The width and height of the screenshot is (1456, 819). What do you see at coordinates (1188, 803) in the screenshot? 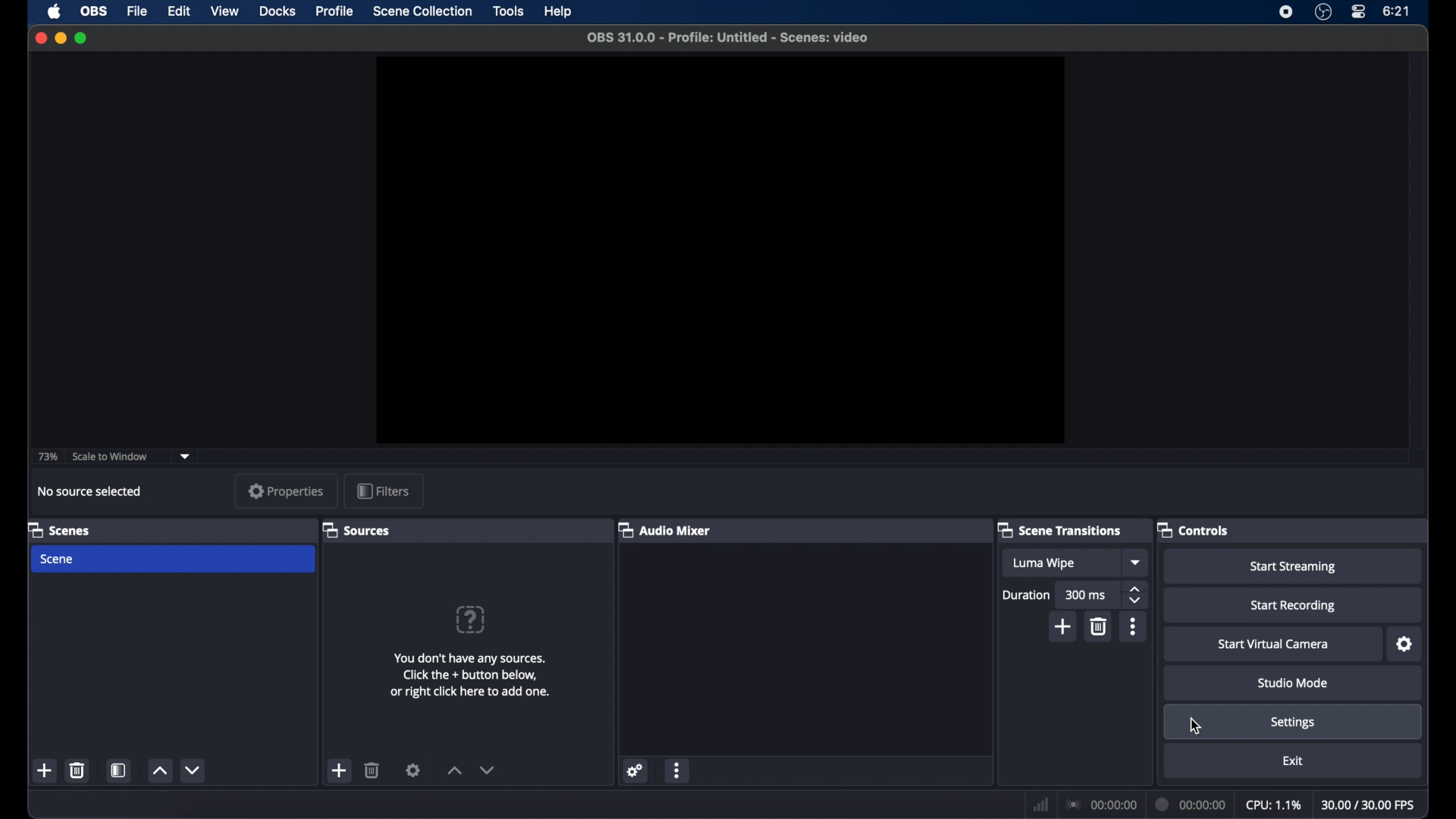
I see `duration` at bounding box center [1188, 803].